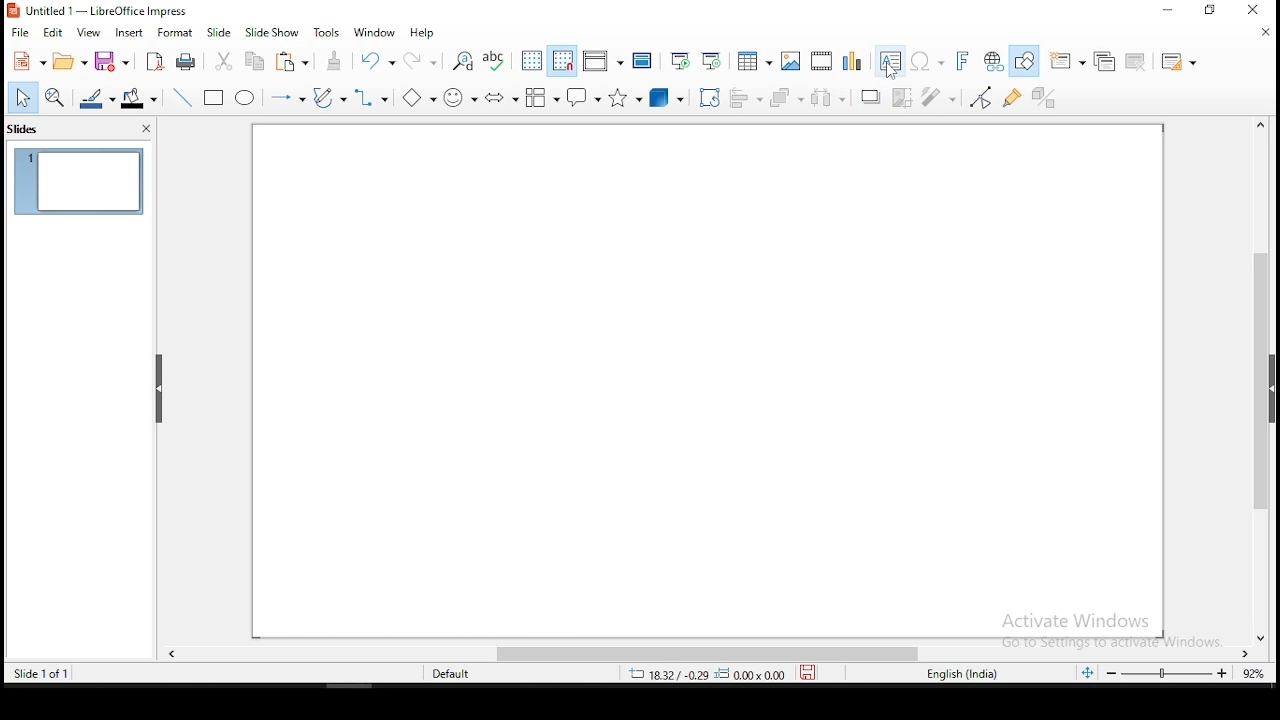 This screenshot has height=720, width=1280. Describe the element at coordinates (1090, 672) in the screenshot. I see `fit slide to current window` at that location.